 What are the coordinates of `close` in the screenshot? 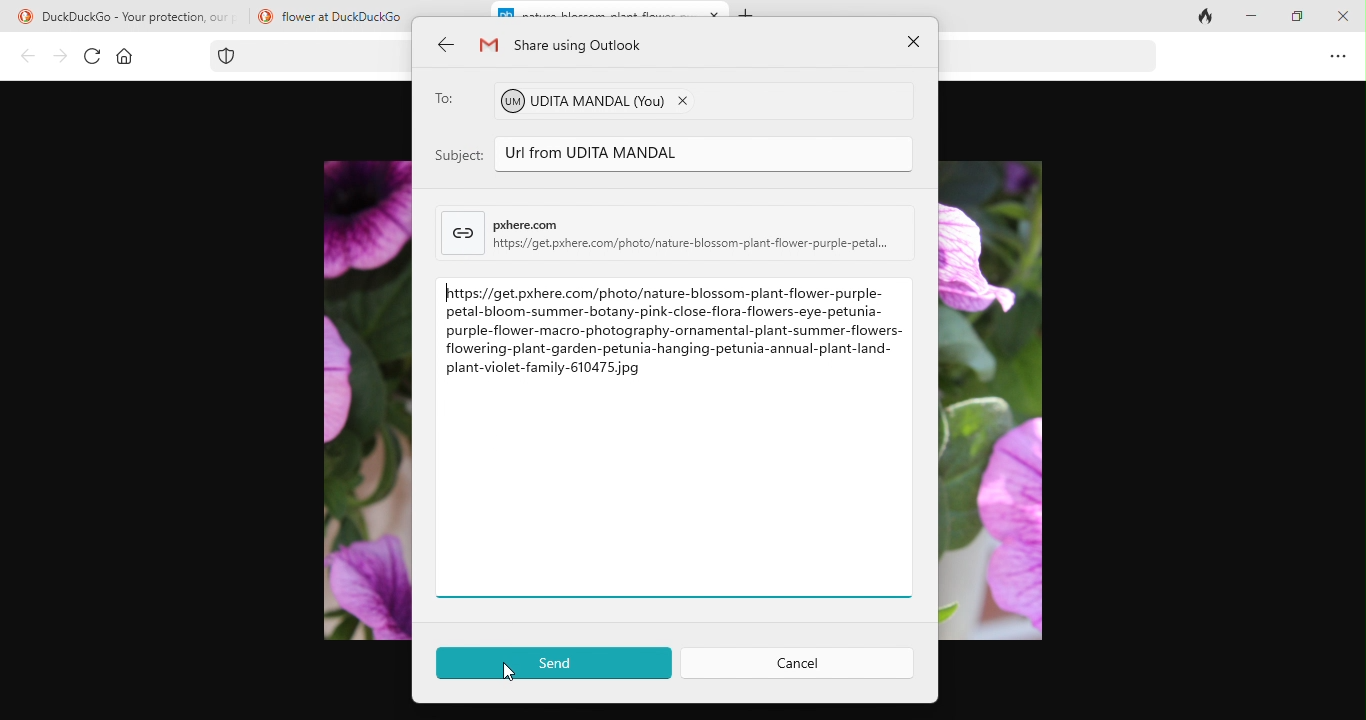 It's located at (1338, 15).